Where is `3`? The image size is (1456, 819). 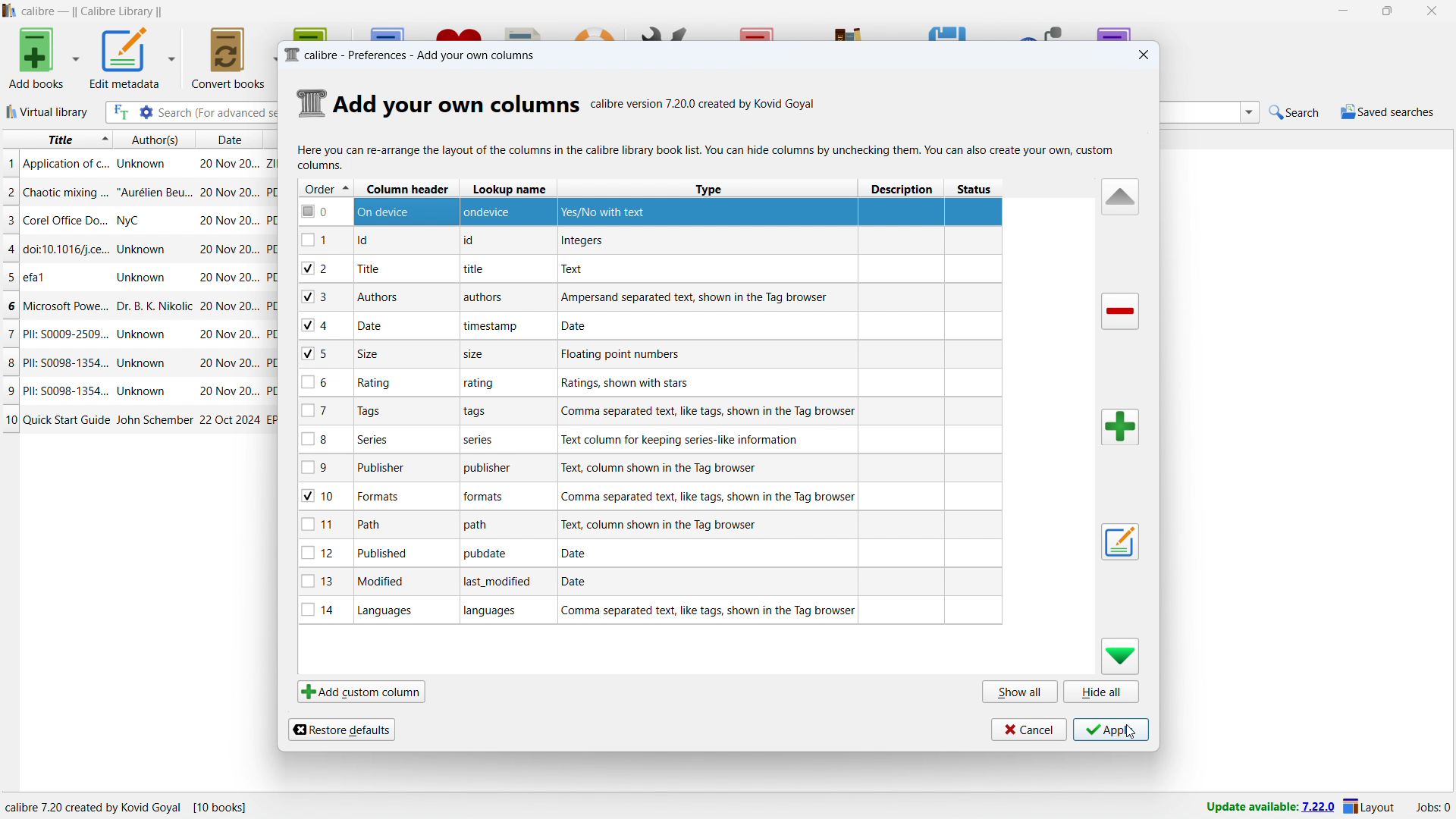 3 is located at coordinates (324, 297).